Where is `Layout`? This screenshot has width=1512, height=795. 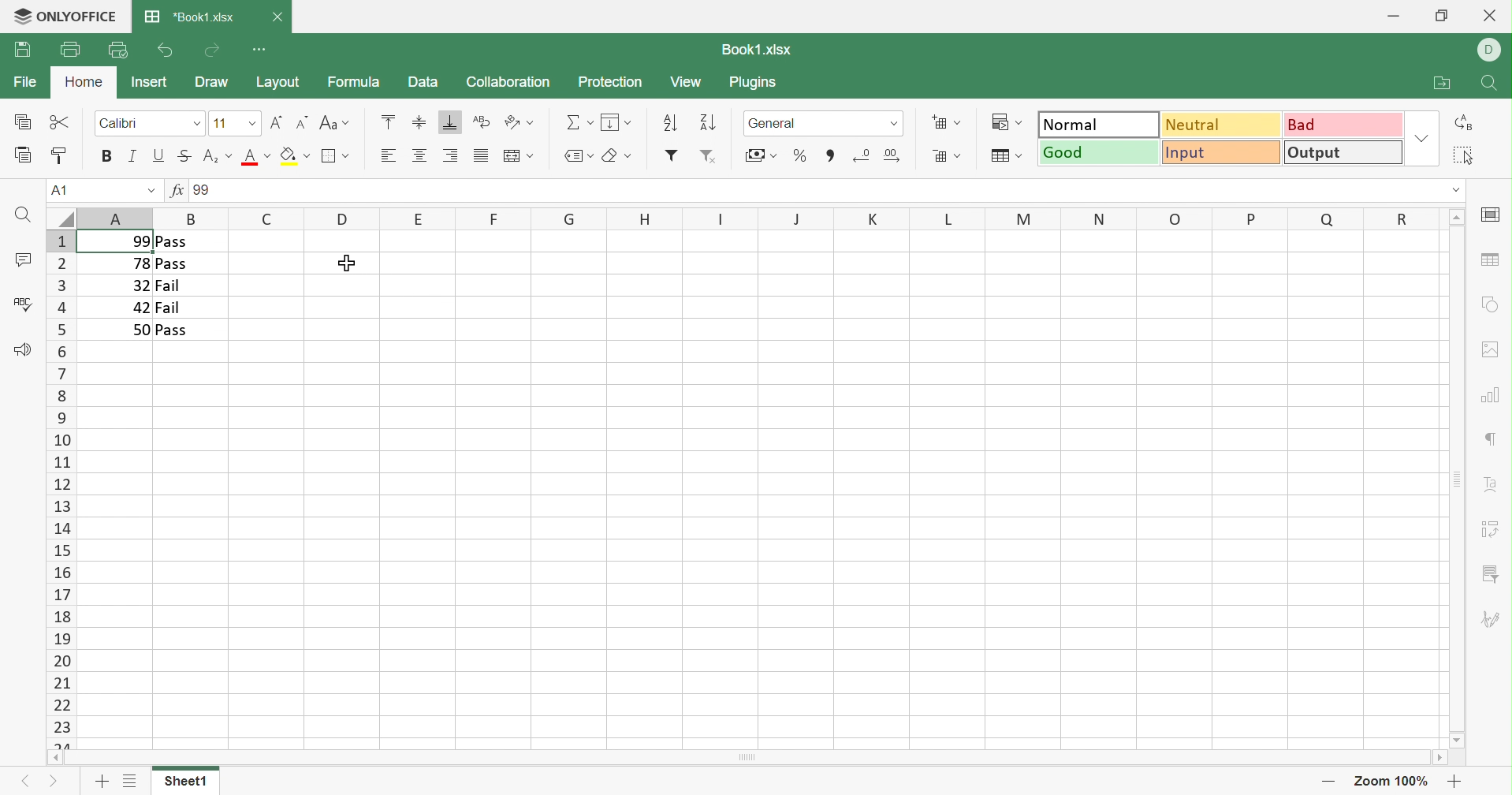
Layout is located at coordinates (278, 82).